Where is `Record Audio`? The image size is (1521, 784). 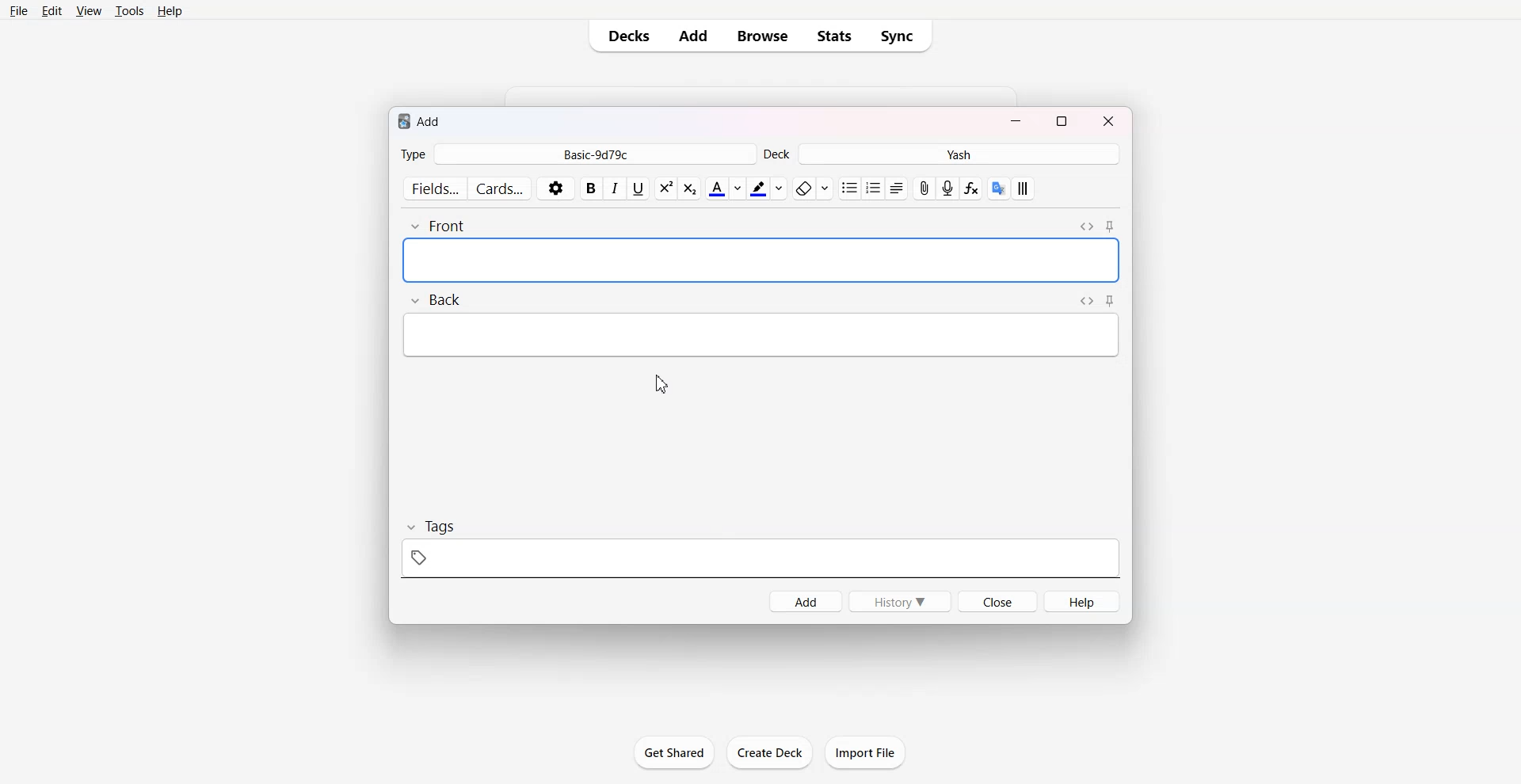 Record Audio is located at coordinates (947, 188).